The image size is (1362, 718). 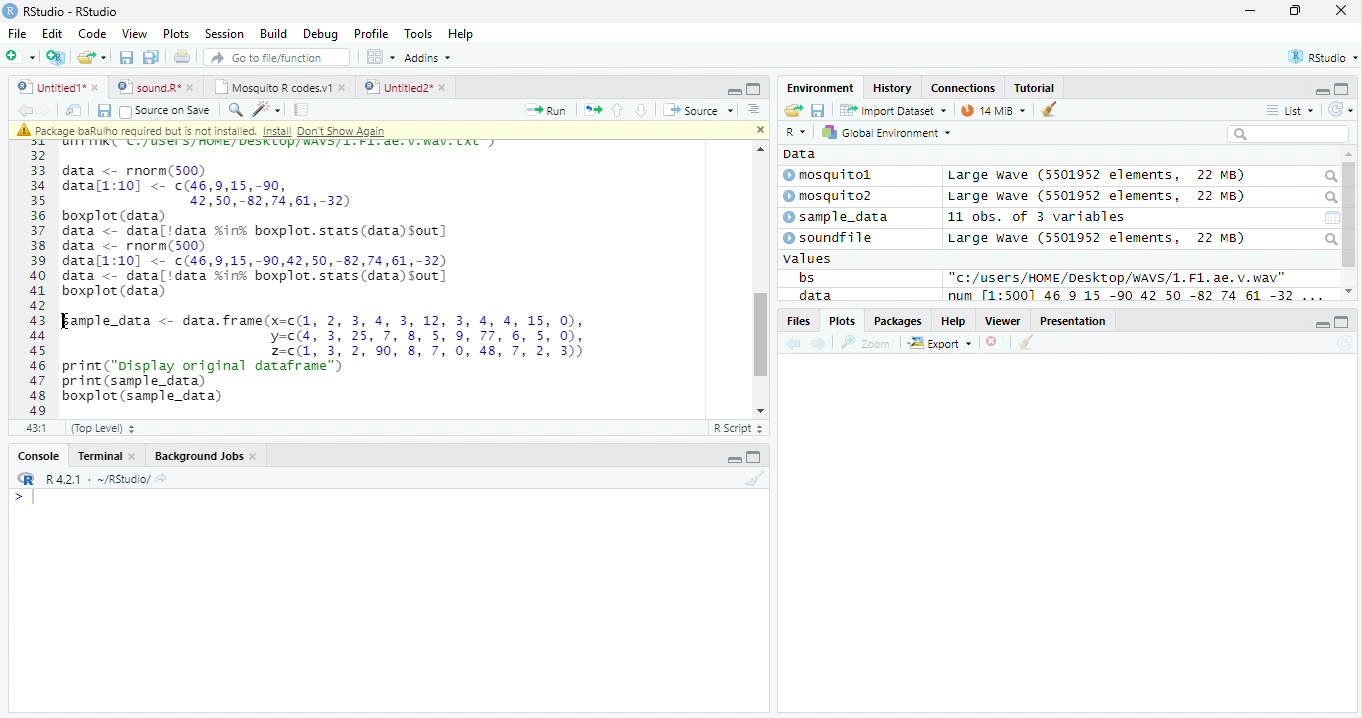 I want to click on go forward, so click(x=820, y=345).